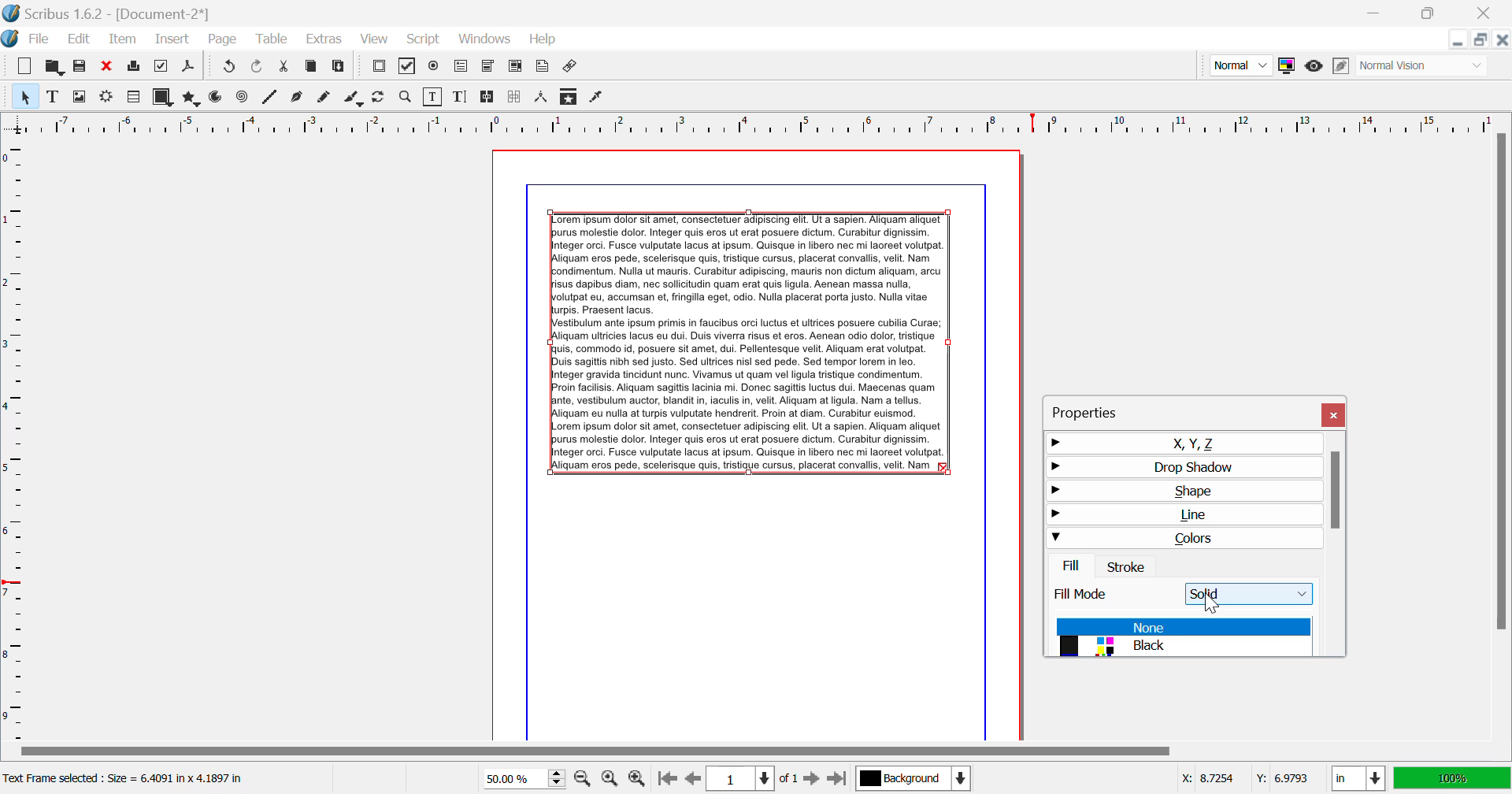  Describe the element at coordinates (221, 40) in the screenshot. I see `Page` at that location.